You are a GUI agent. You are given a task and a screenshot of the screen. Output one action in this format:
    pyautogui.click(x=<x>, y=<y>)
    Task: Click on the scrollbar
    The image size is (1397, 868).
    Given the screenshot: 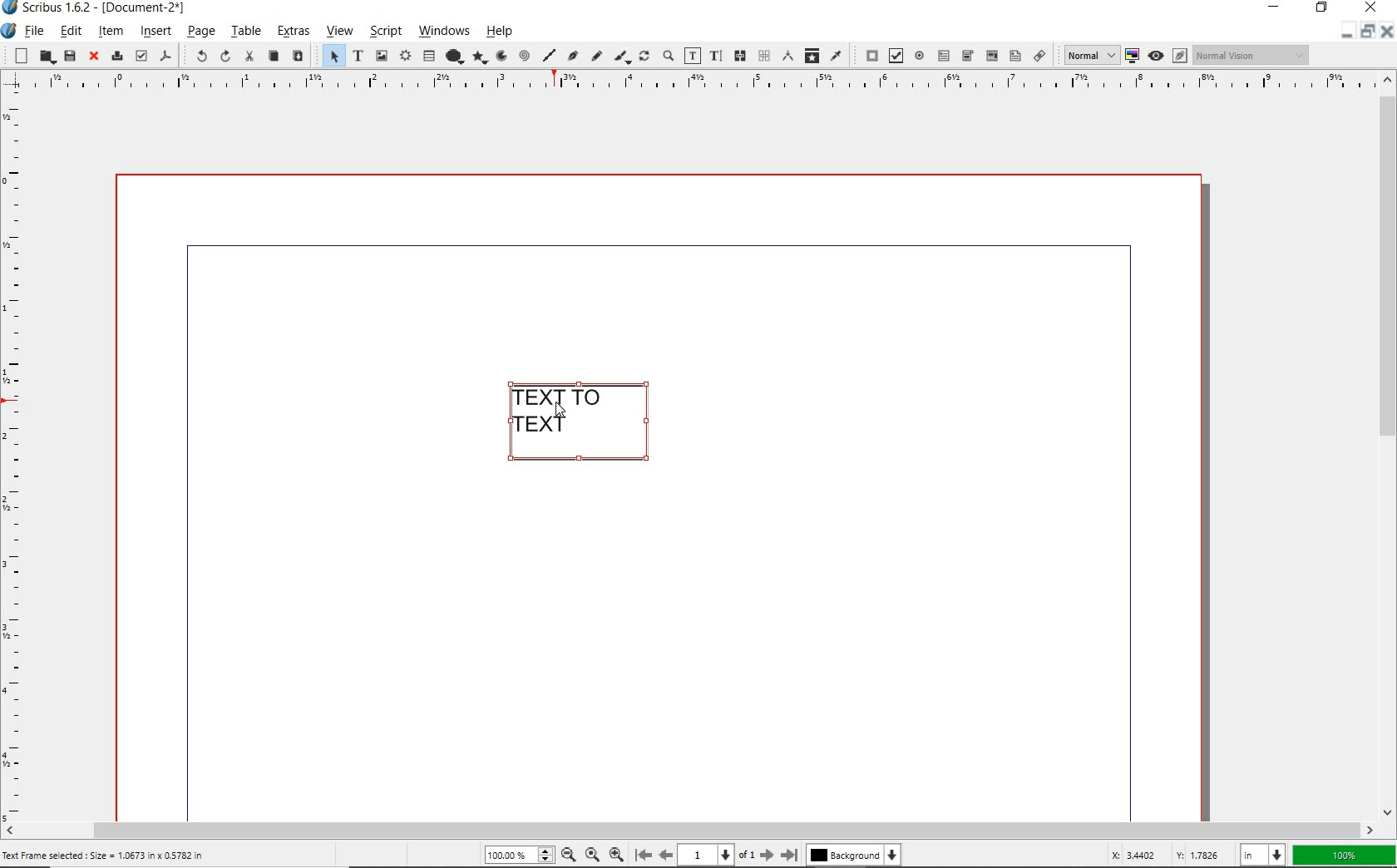 What is the action you would take?
    pyautogui.click(x=1389, y=445)
    